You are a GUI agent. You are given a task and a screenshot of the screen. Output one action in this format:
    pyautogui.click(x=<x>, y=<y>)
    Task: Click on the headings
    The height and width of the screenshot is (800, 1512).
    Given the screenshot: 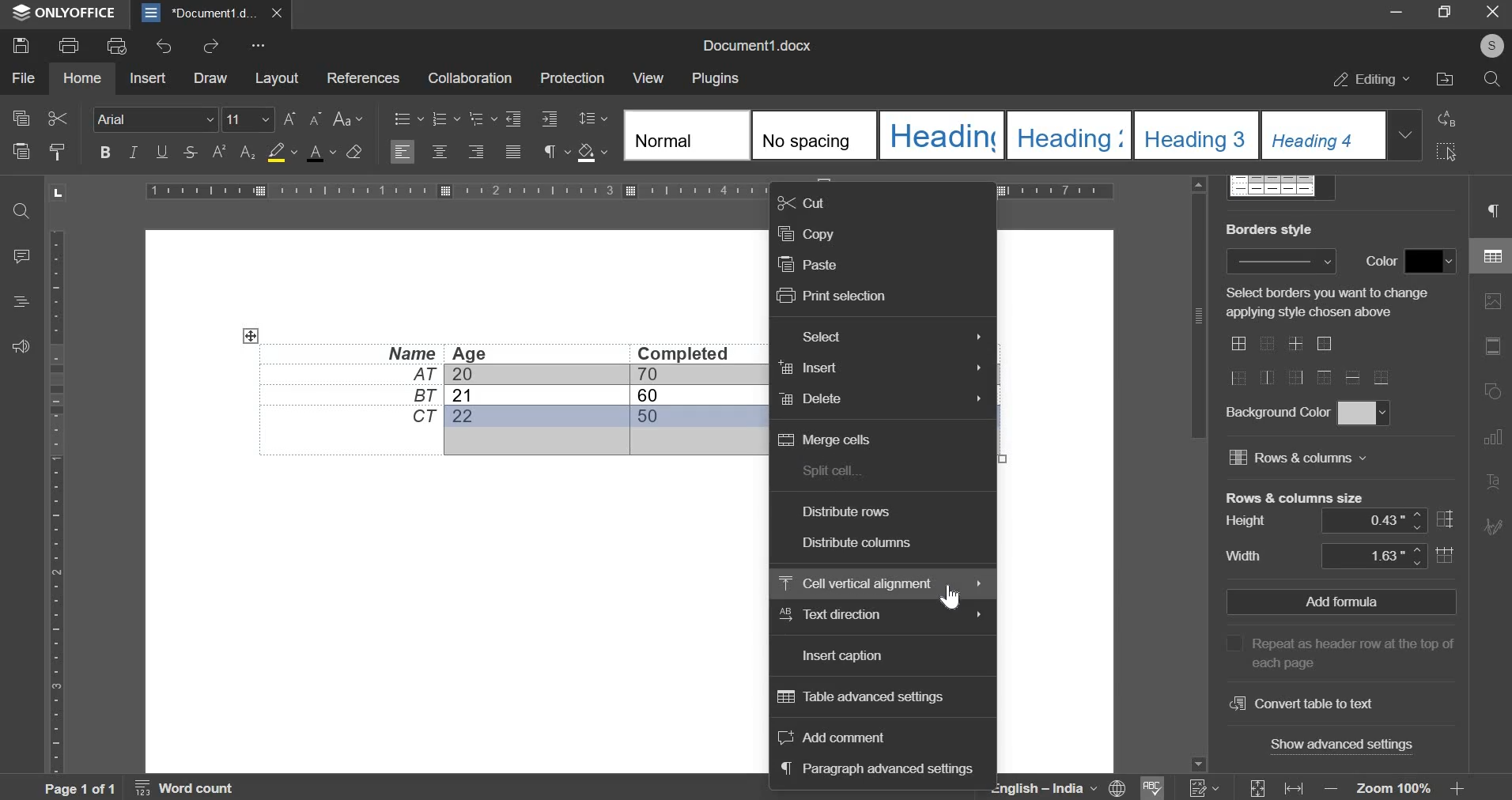 What is the action you would take?
    pyautogui.click(x=22, y=300)
    